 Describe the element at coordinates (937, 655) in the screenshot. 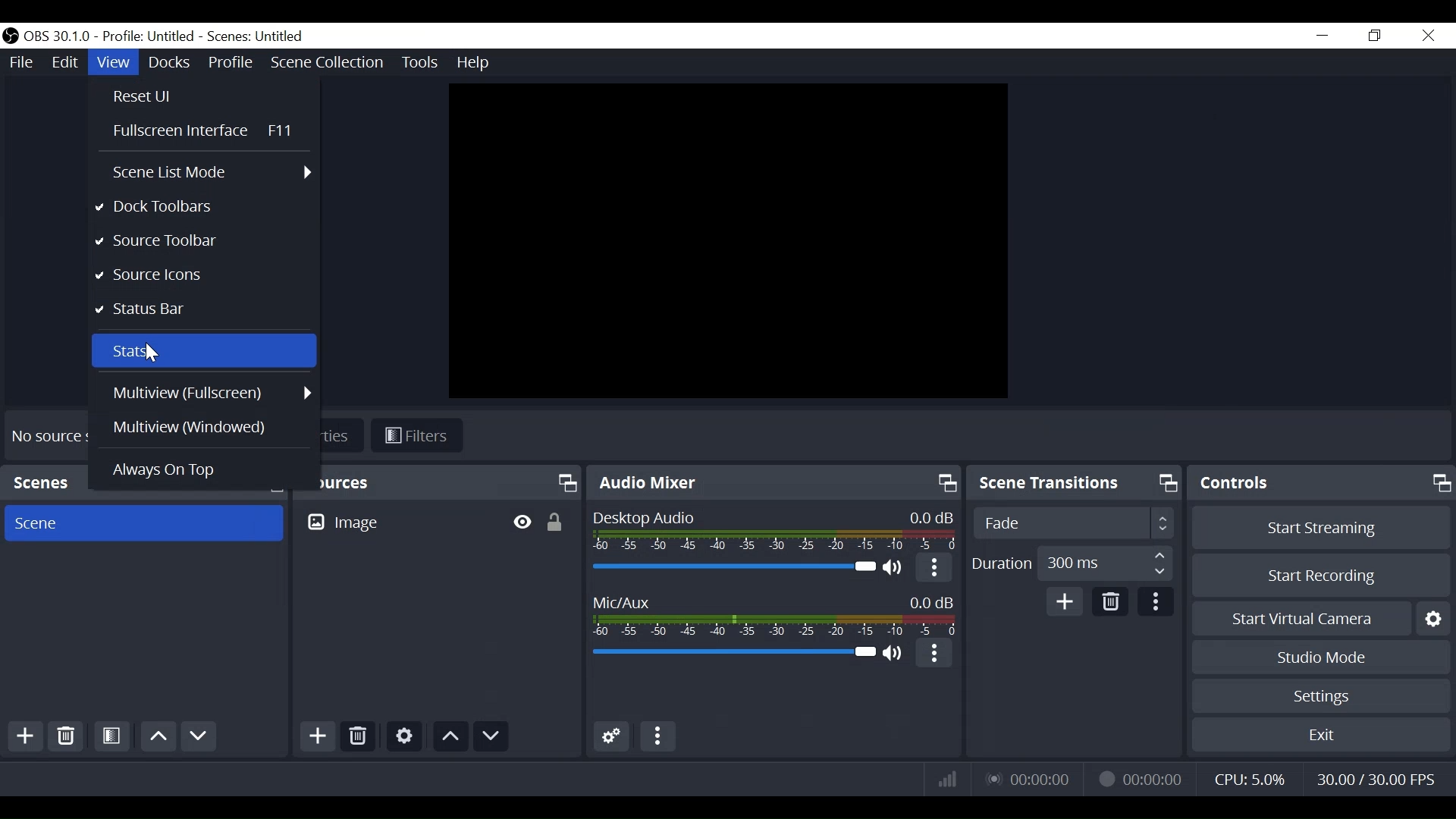

I see `more options` at that location.